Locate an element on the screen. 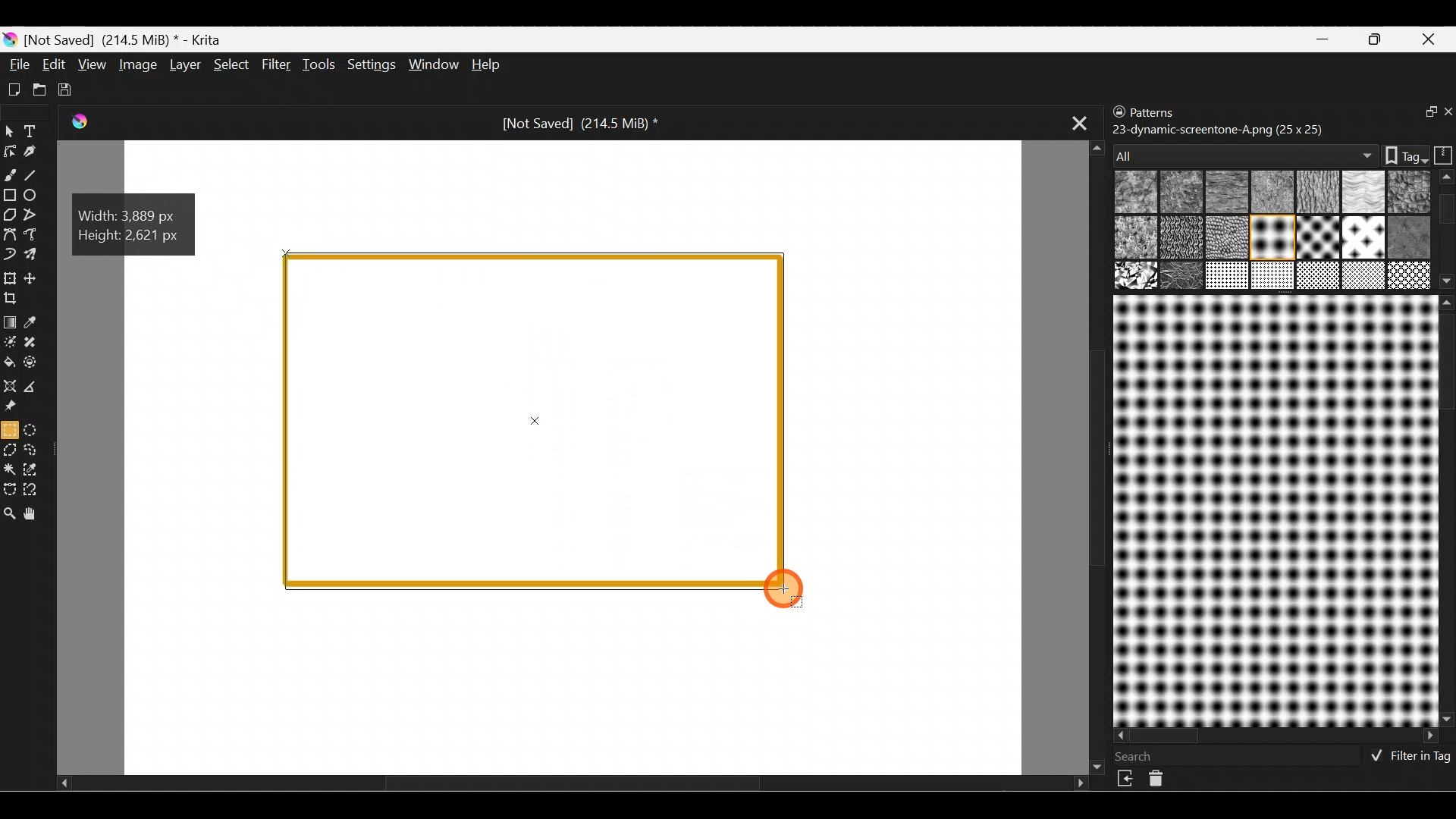 Image resolution: width=1456 pixels, height=819 pixels. 04 paper-c-grain.png is located at coordinates (1315, 193).